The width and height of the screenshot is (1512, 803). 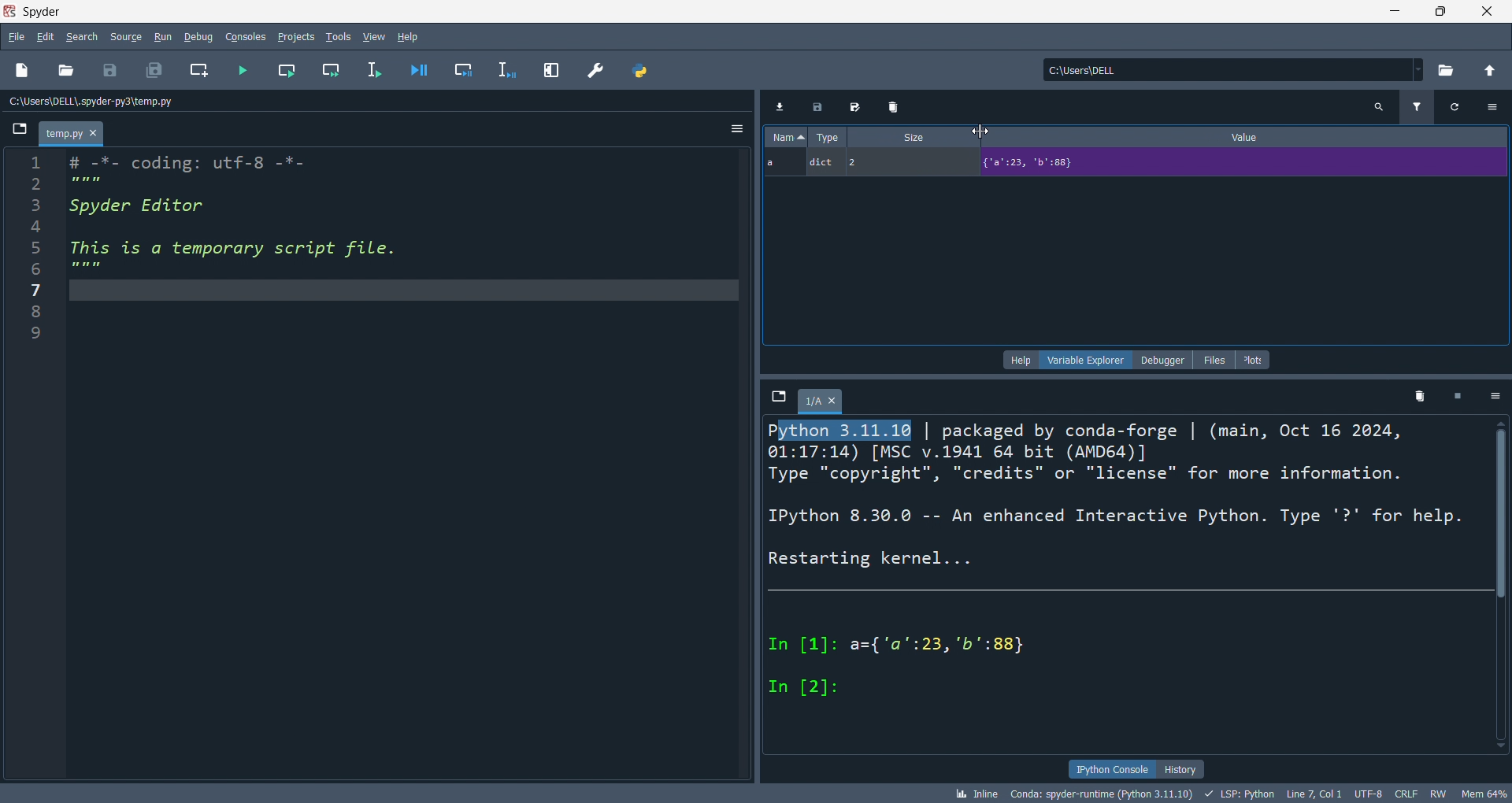 I want to click on size, so click(x=909, y=138).